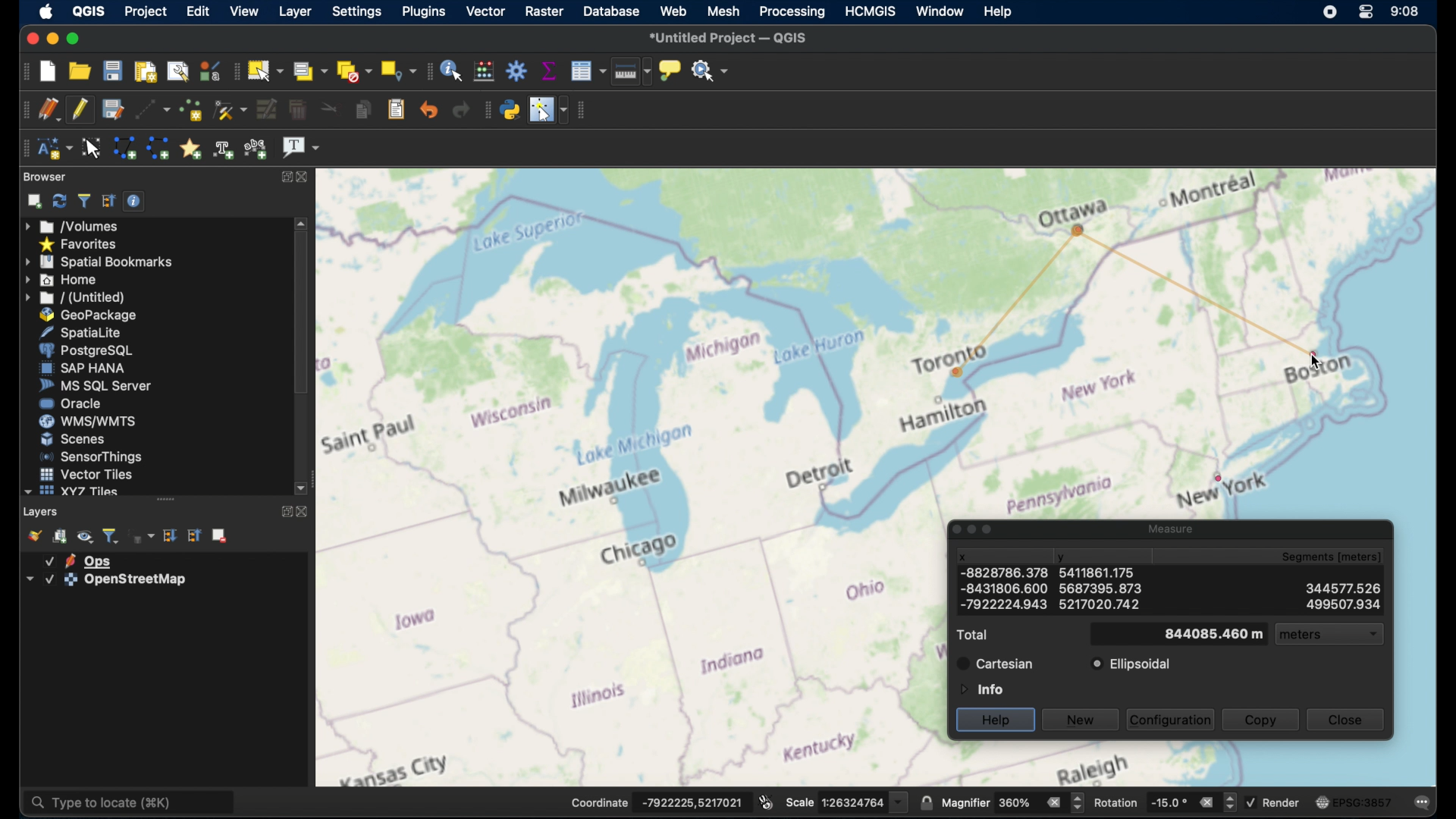  Describe the element at coordinates (51, 38) in the screenshot. I see `minimize` at that location.